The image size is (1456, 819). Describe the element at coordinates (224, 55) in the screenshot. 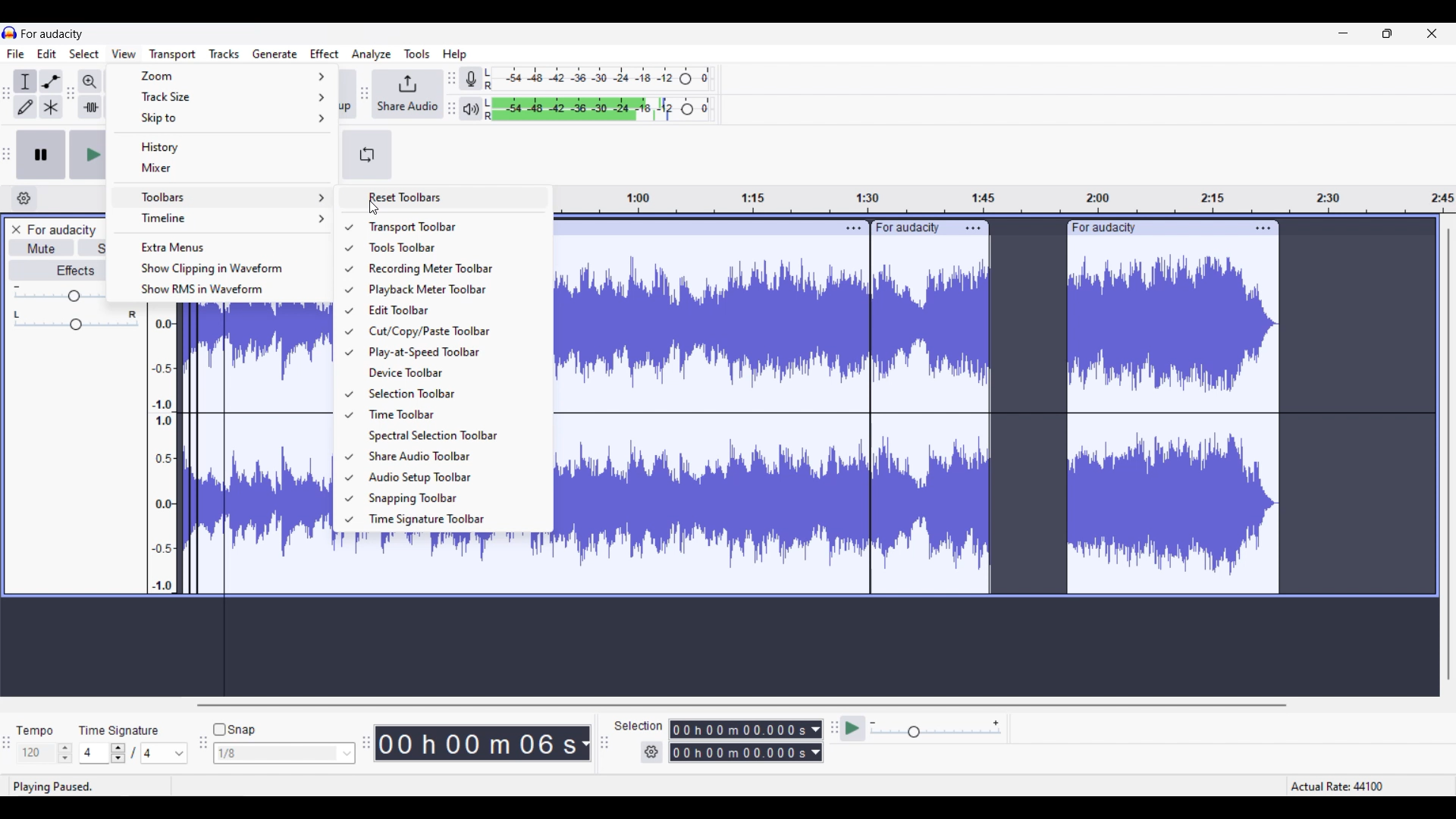

I see `Tracks menu` at that location.